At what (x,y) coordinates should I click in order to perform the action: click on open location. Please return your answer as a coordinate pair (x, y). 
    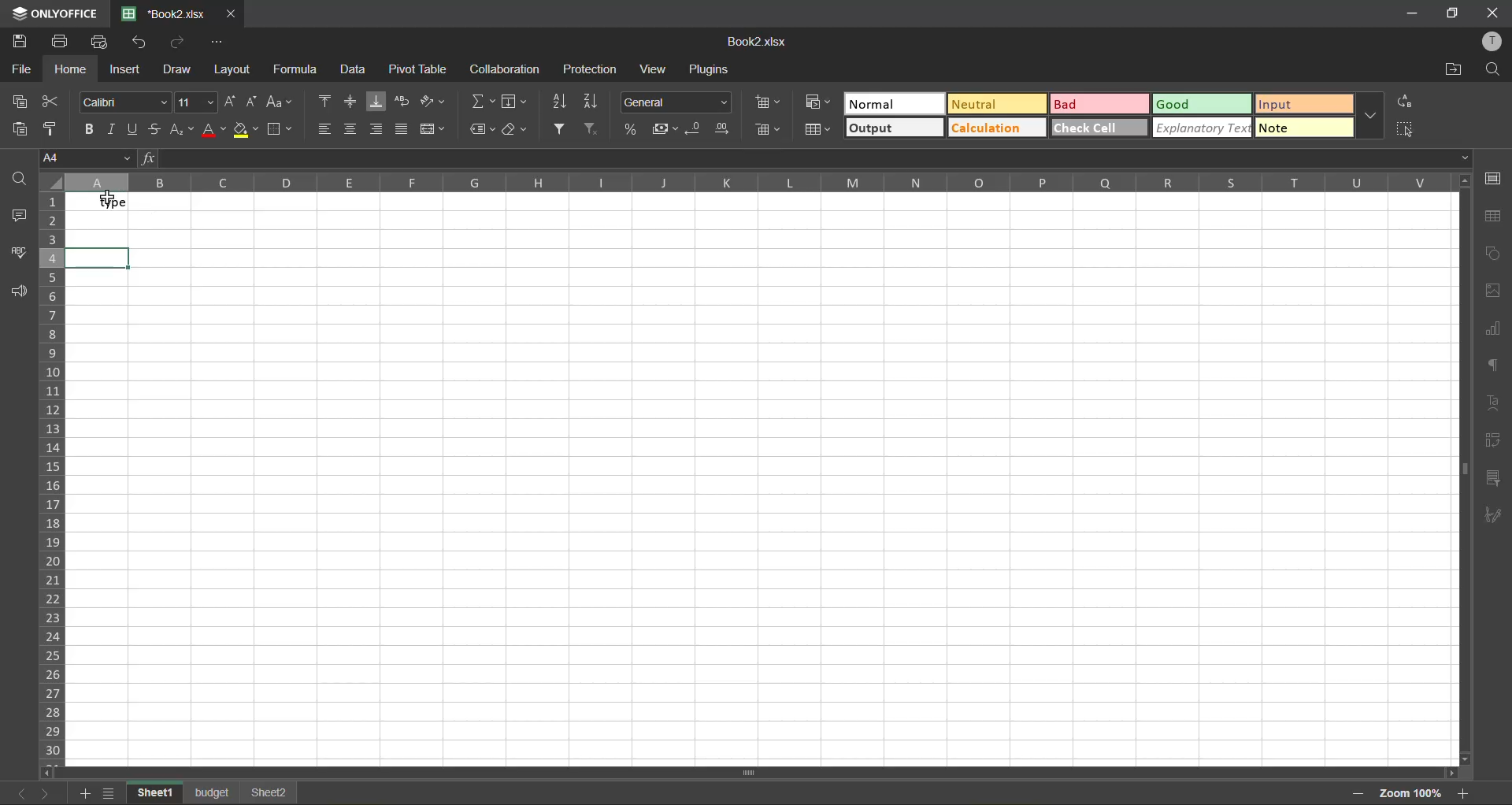
    Looking at the image, I should click on (1447, 70).